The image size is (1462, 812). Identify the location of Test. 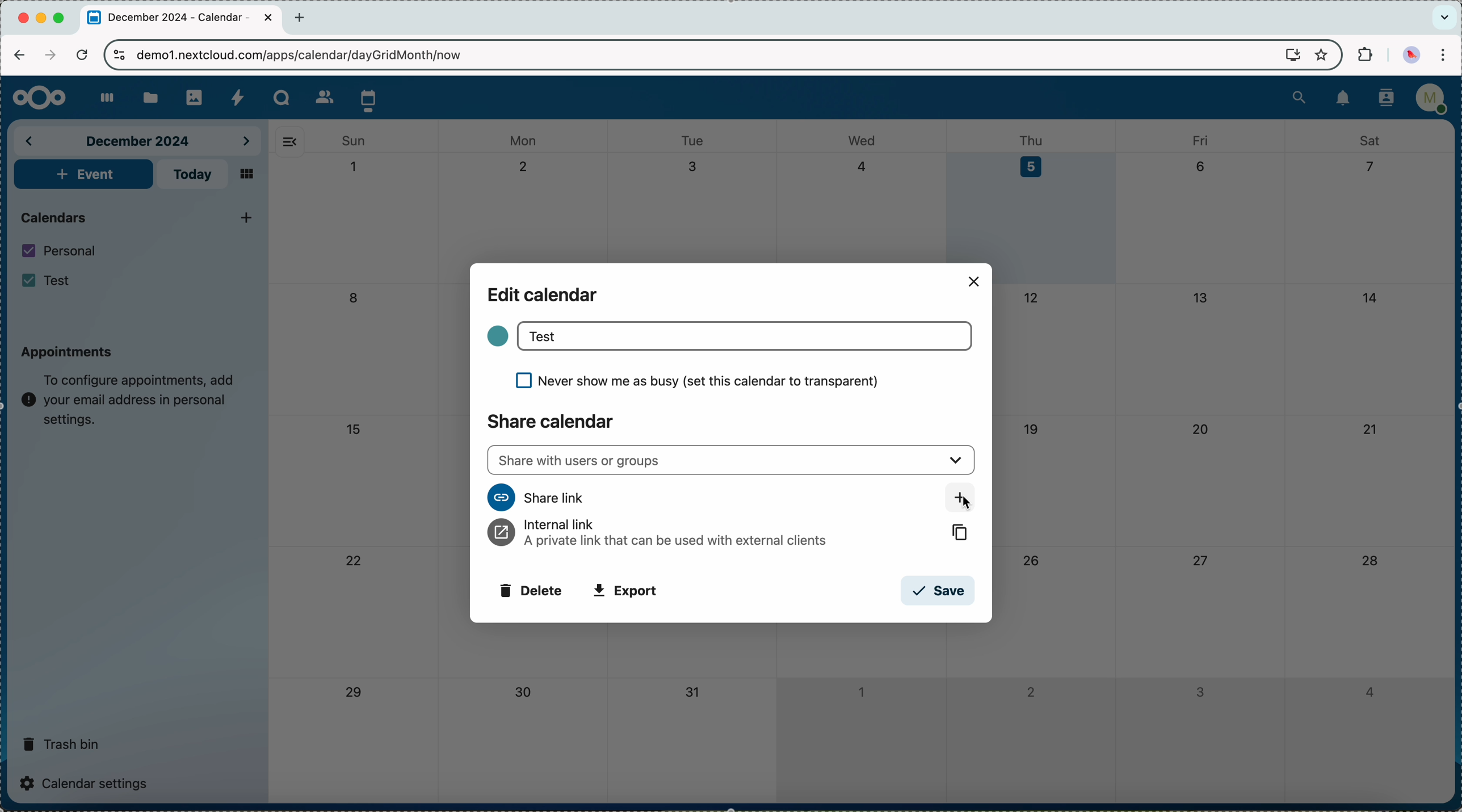
(746, 336).